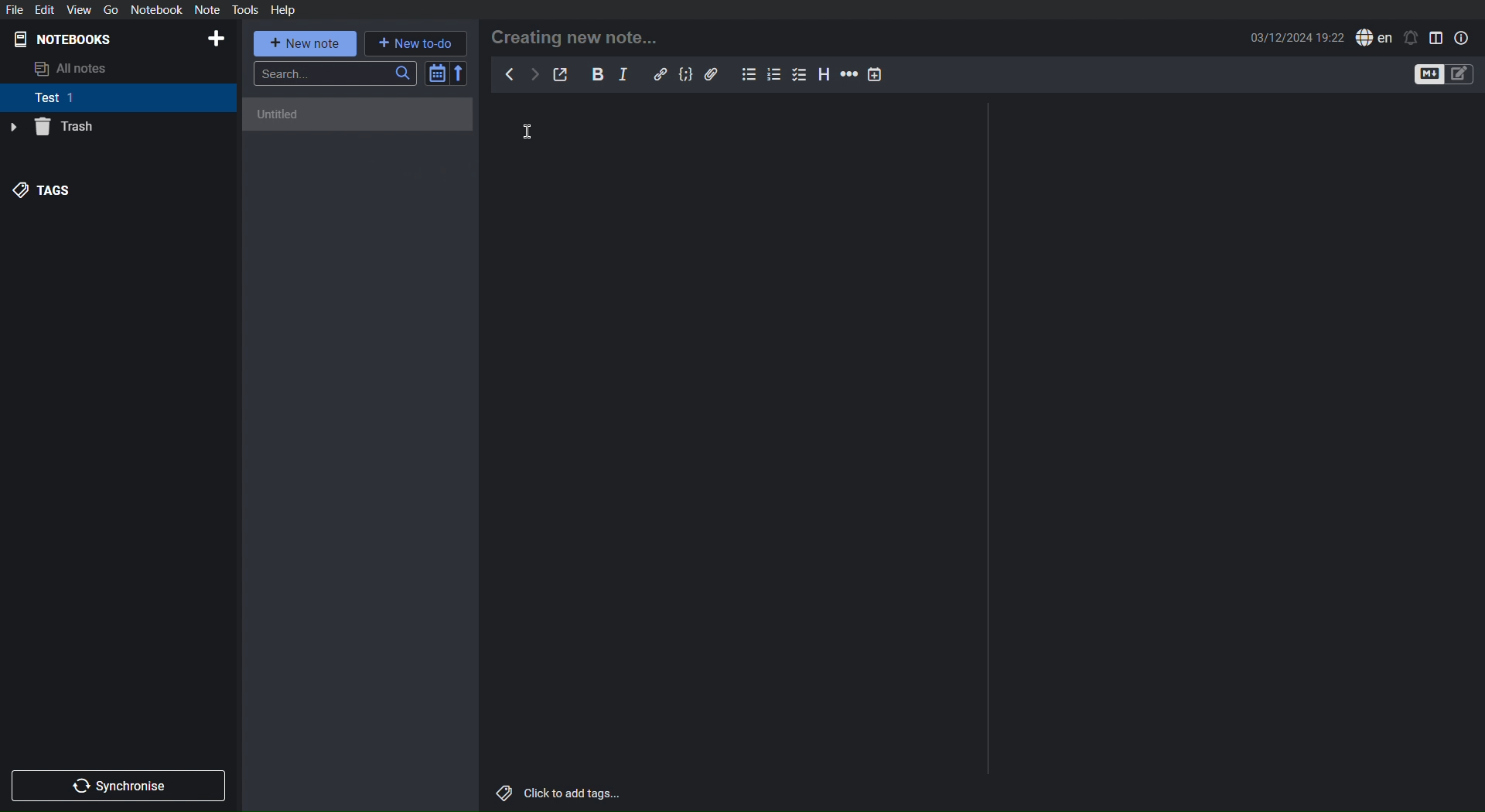 The width and height of the screenshot is (1485, 812). What do you see at coordinates (525, 133) in the screenshot?
I see `Cursor` at bounding box center [525, 133].